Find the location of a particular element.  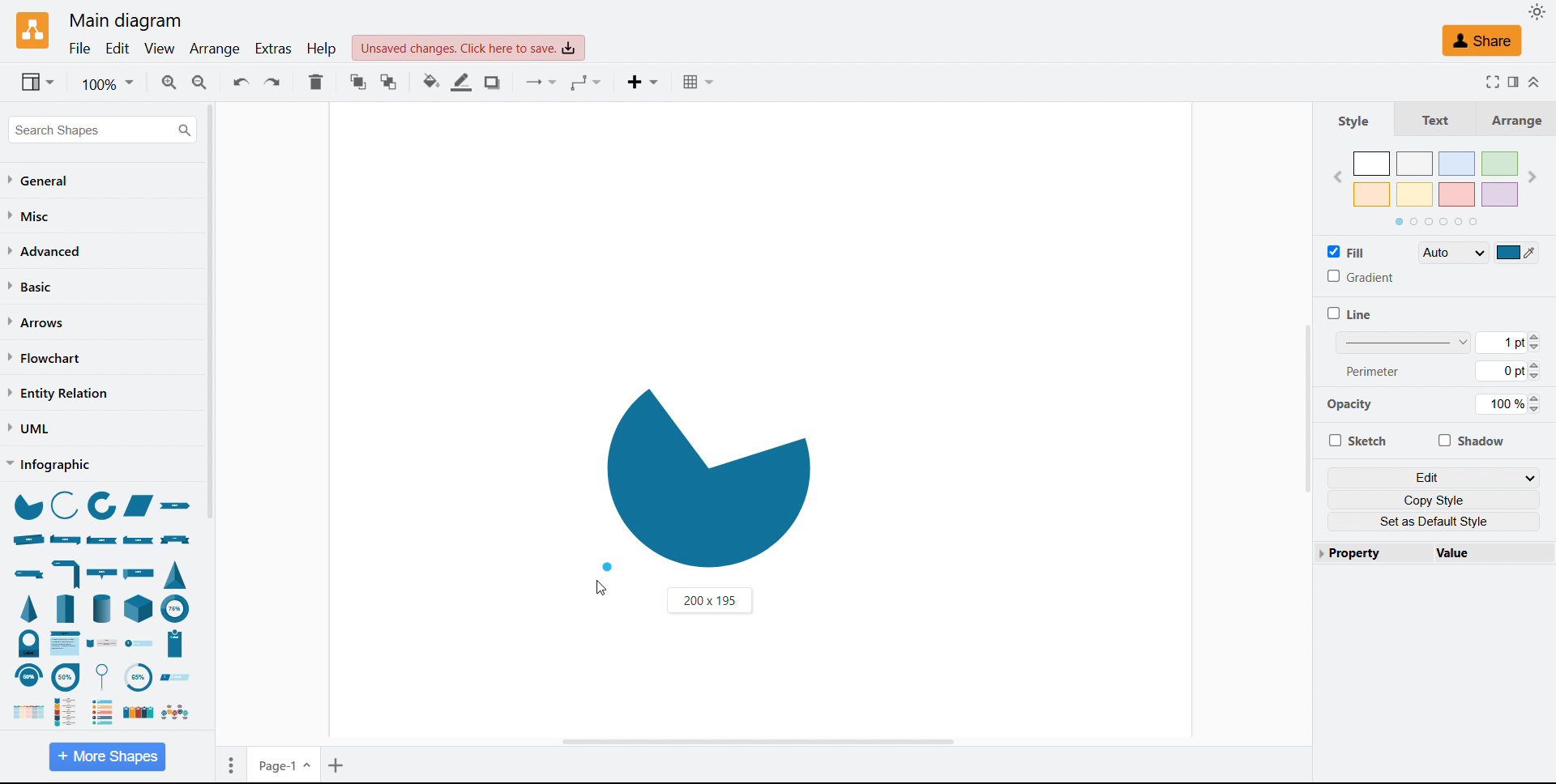

ribbon back fold is located at coordinates (139, 539).